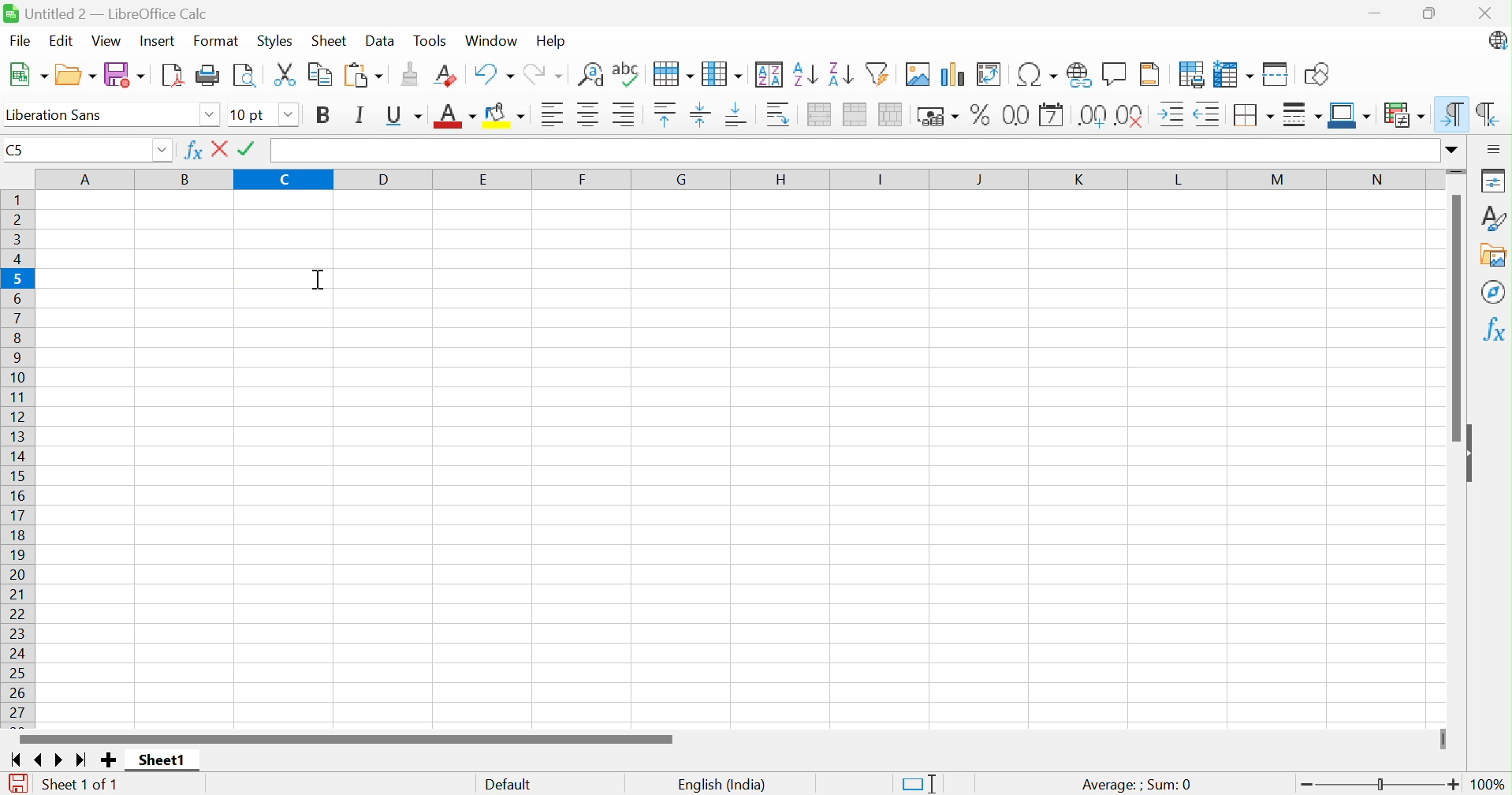  I want to click on Drop down, so click(161, 151).